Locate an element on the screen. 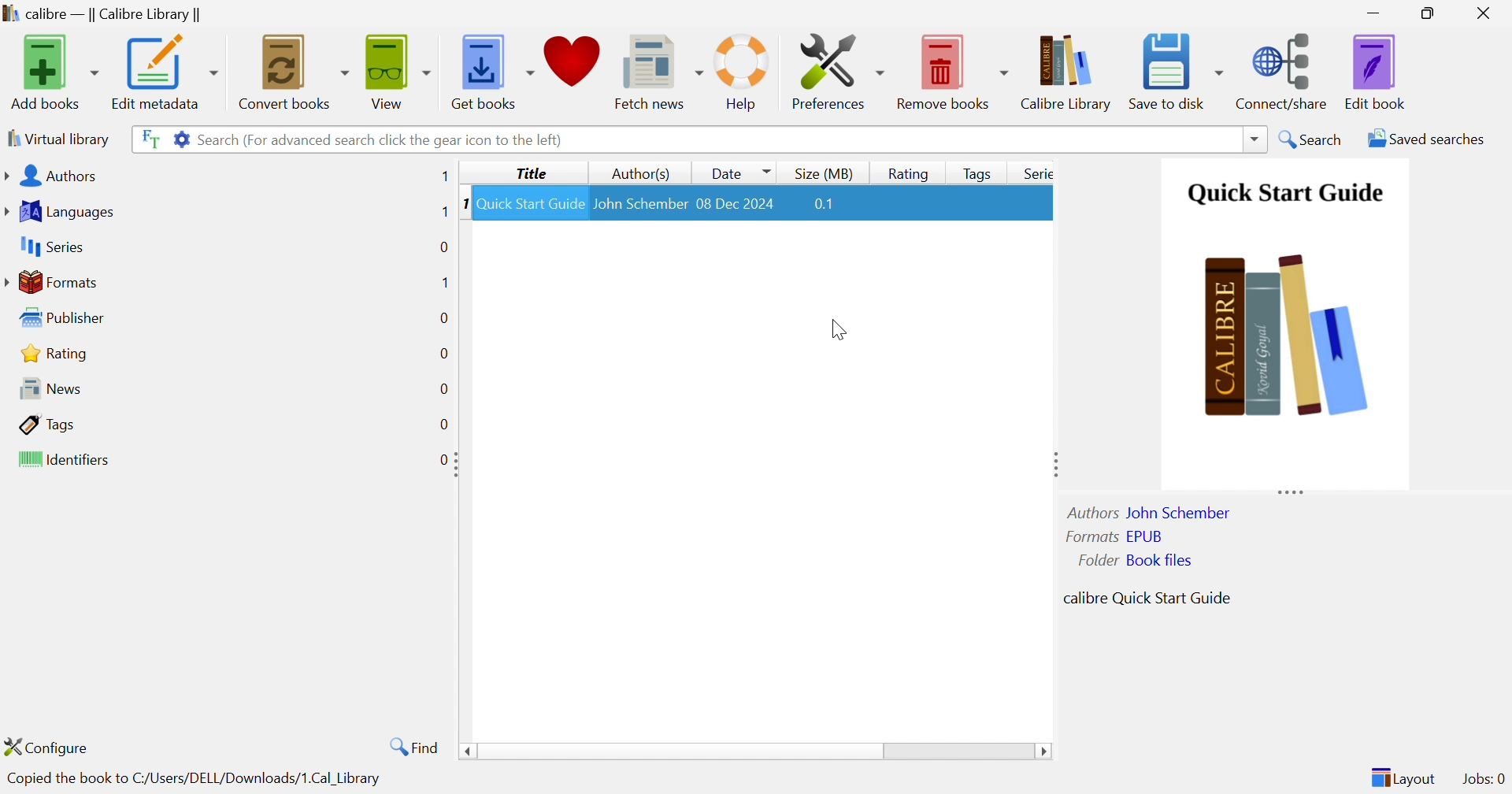  Image is located at coordinates (1288, 339).